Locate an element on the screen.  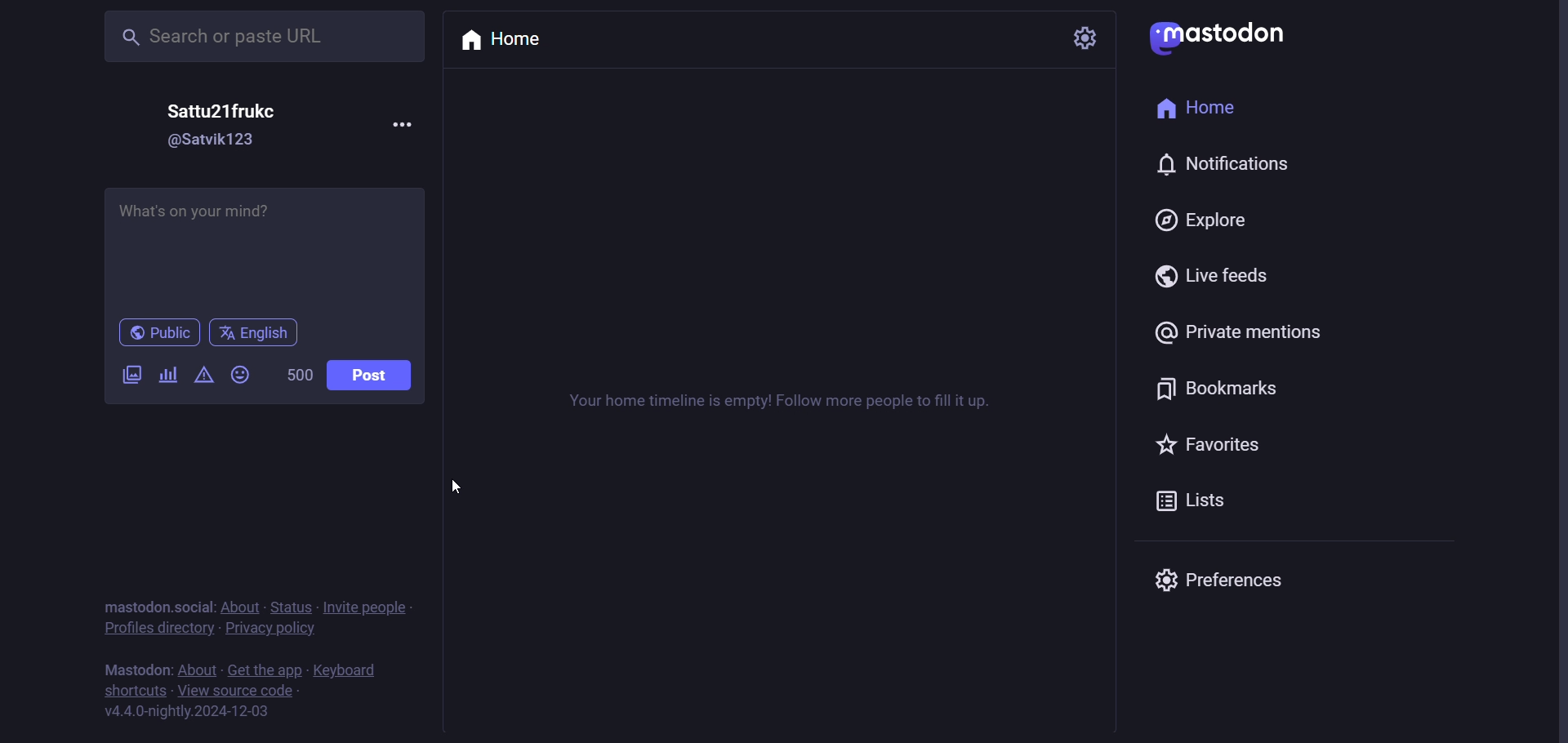
mastodon is located at coordinates (1220, 37).